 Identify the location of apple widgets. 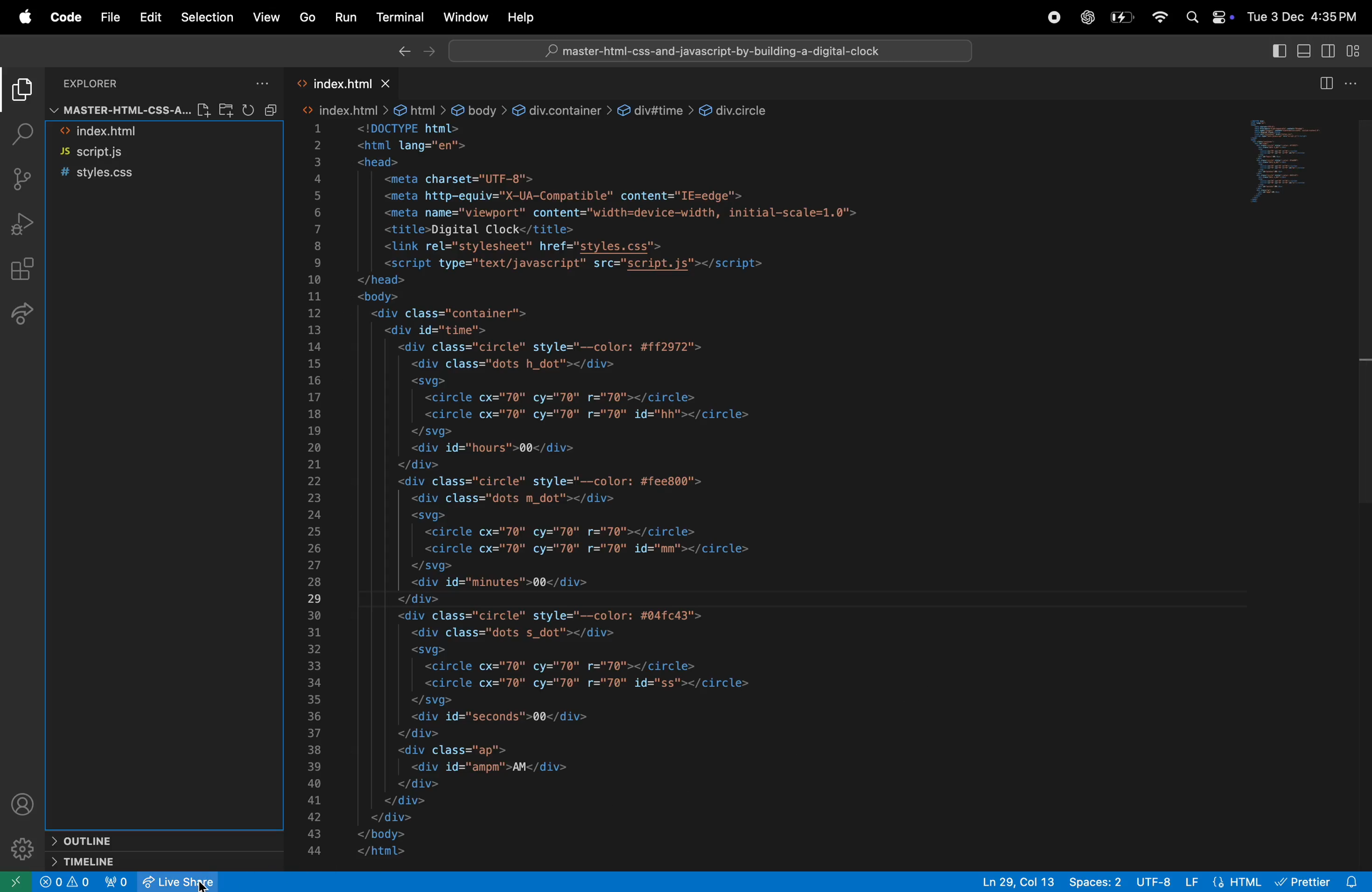
(1210, 18).